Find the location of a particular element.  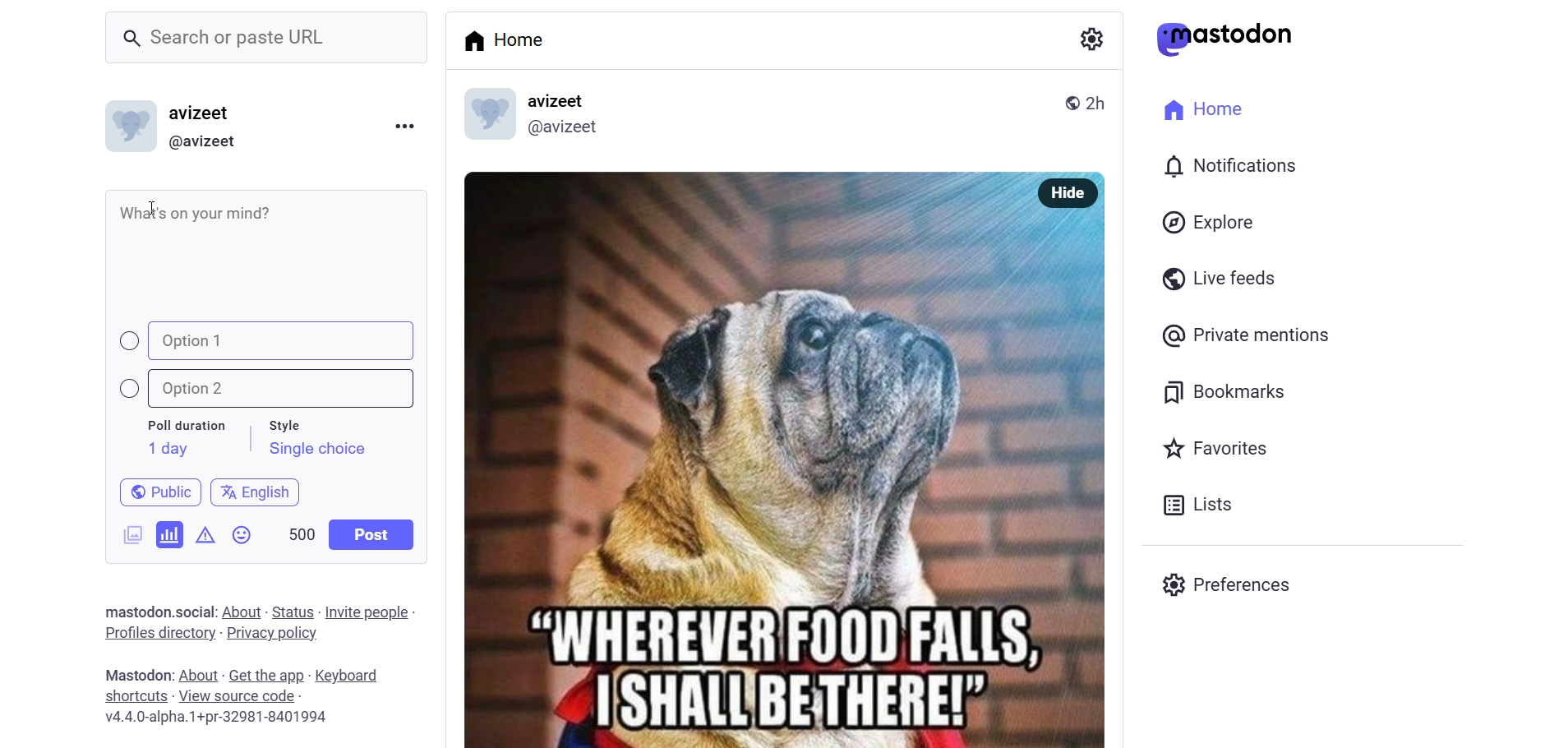

avizeet is located at coordinates (560, 102).